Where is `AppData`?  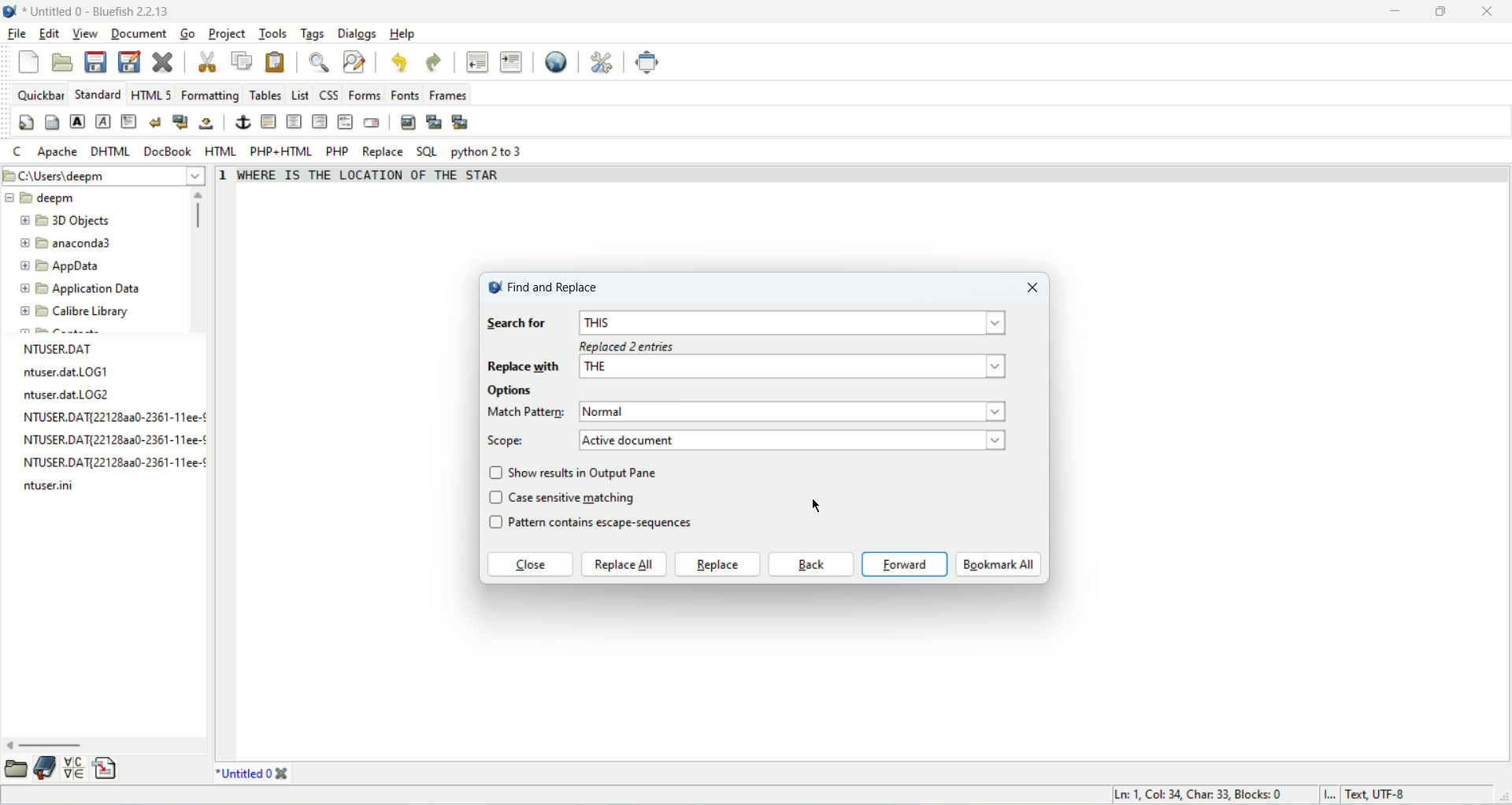 AppData is located at coordinates (62, 265).